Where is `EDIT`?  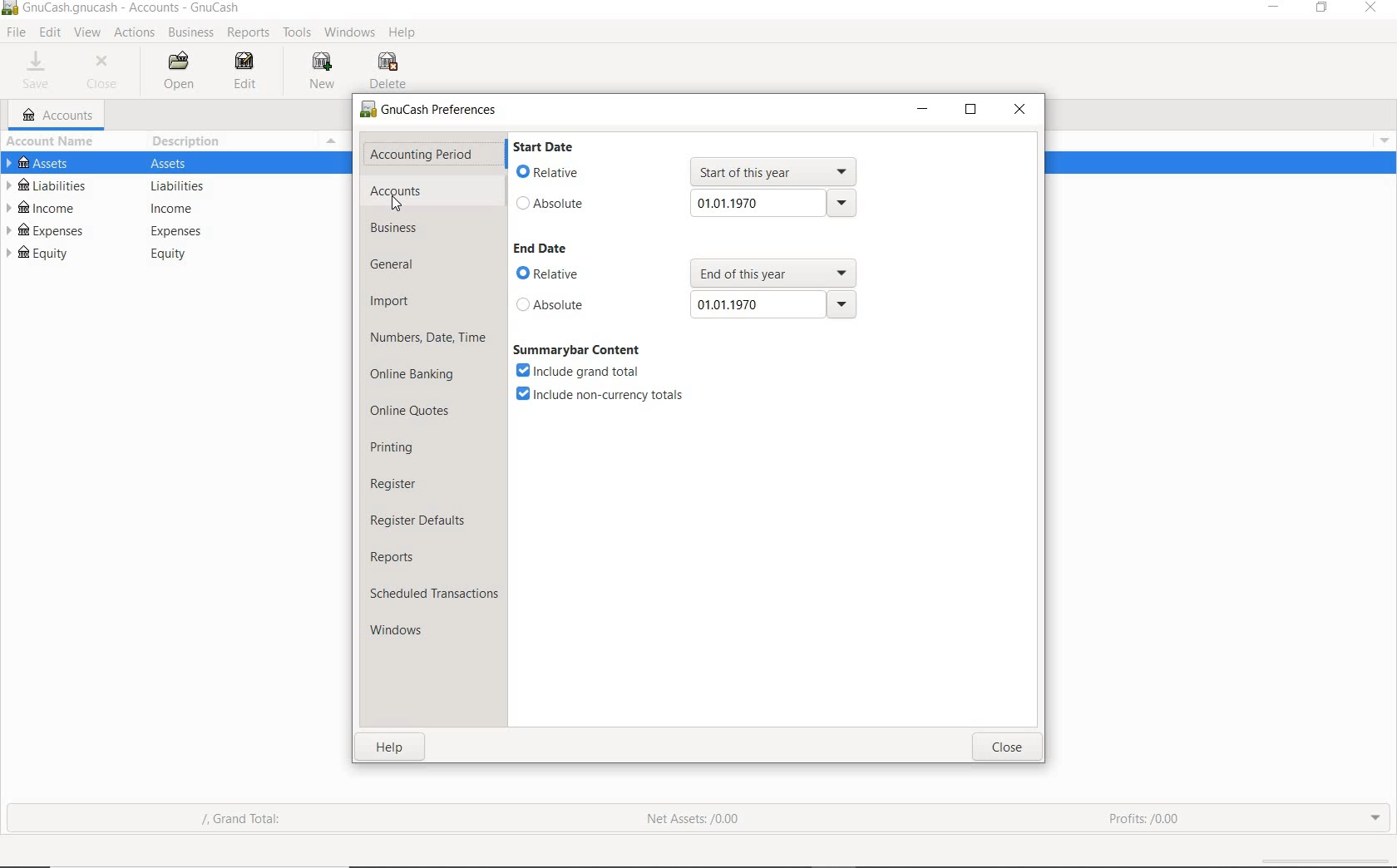
EDIT is located at coordinates (49, 32).